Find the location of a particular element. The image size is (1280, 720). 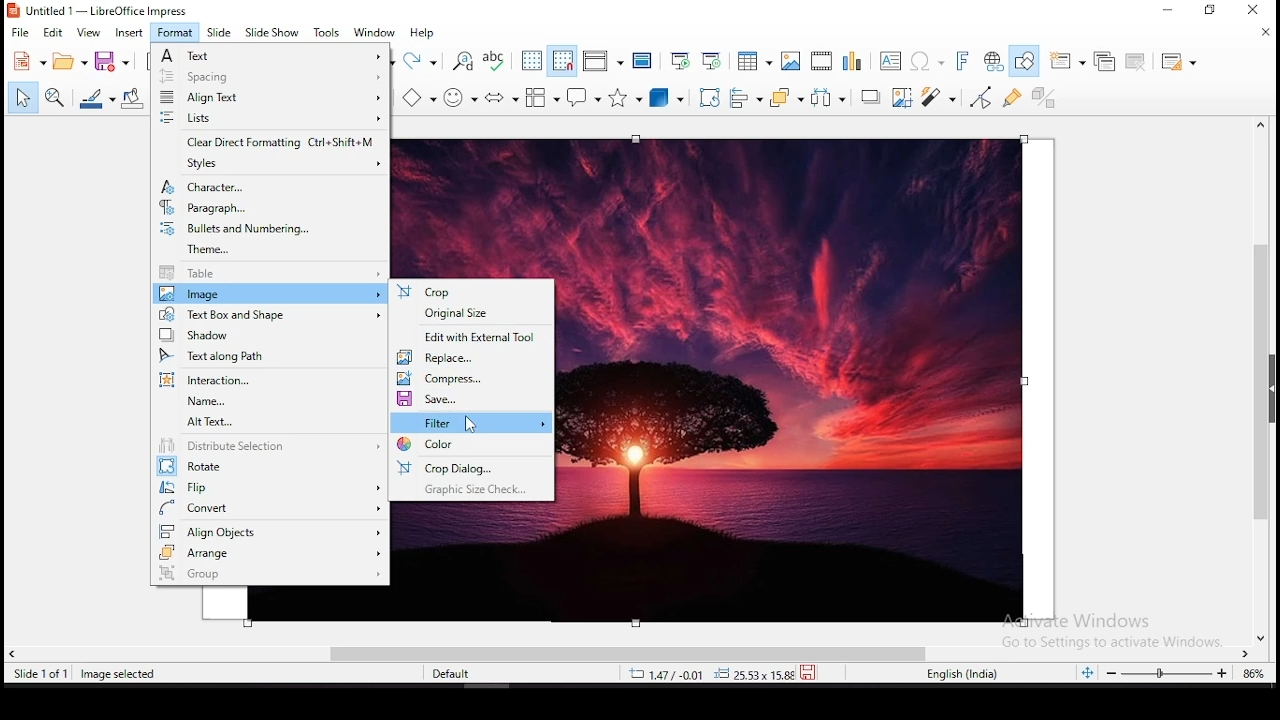

fill color is located at coordinates (132, 97).